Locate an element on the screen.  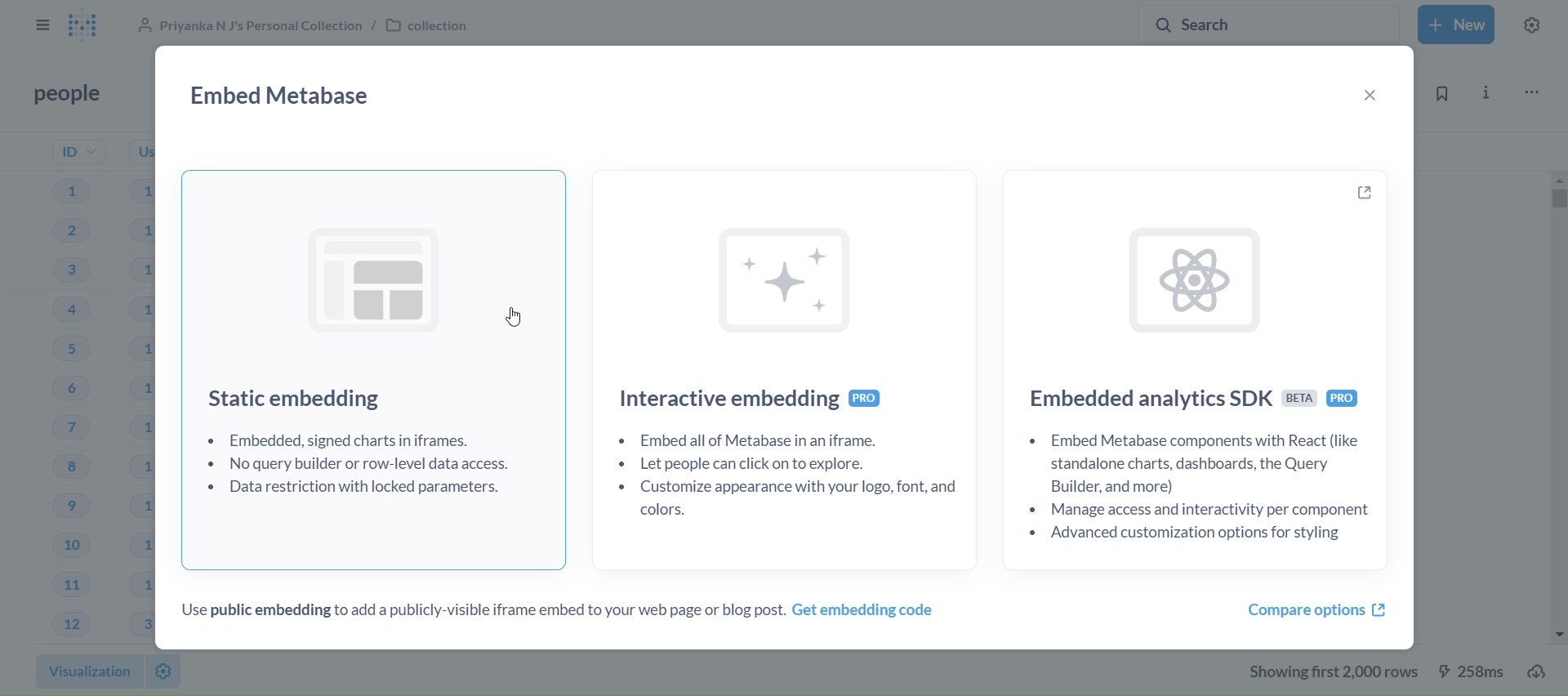
embed metabase is located at coordinates (278, 96).